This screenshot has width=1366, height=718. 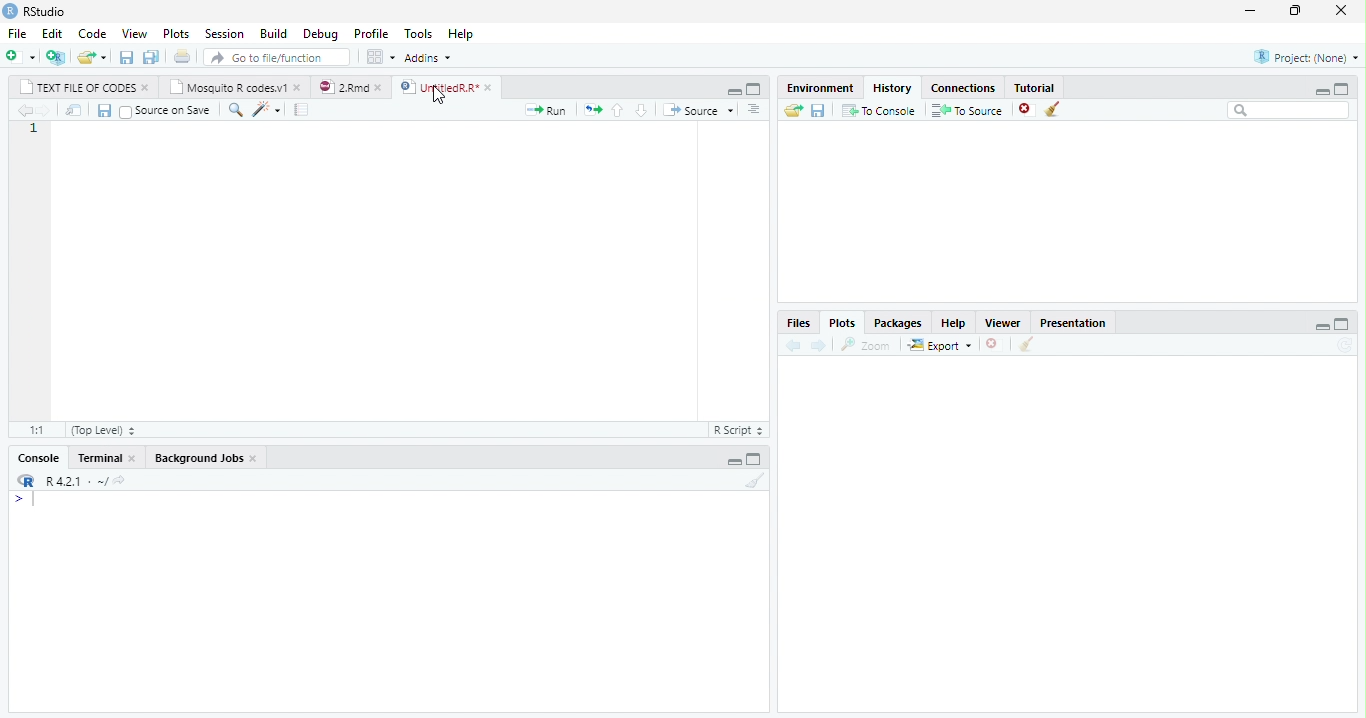 I want to click on go forward, so click(x=42, y=111).